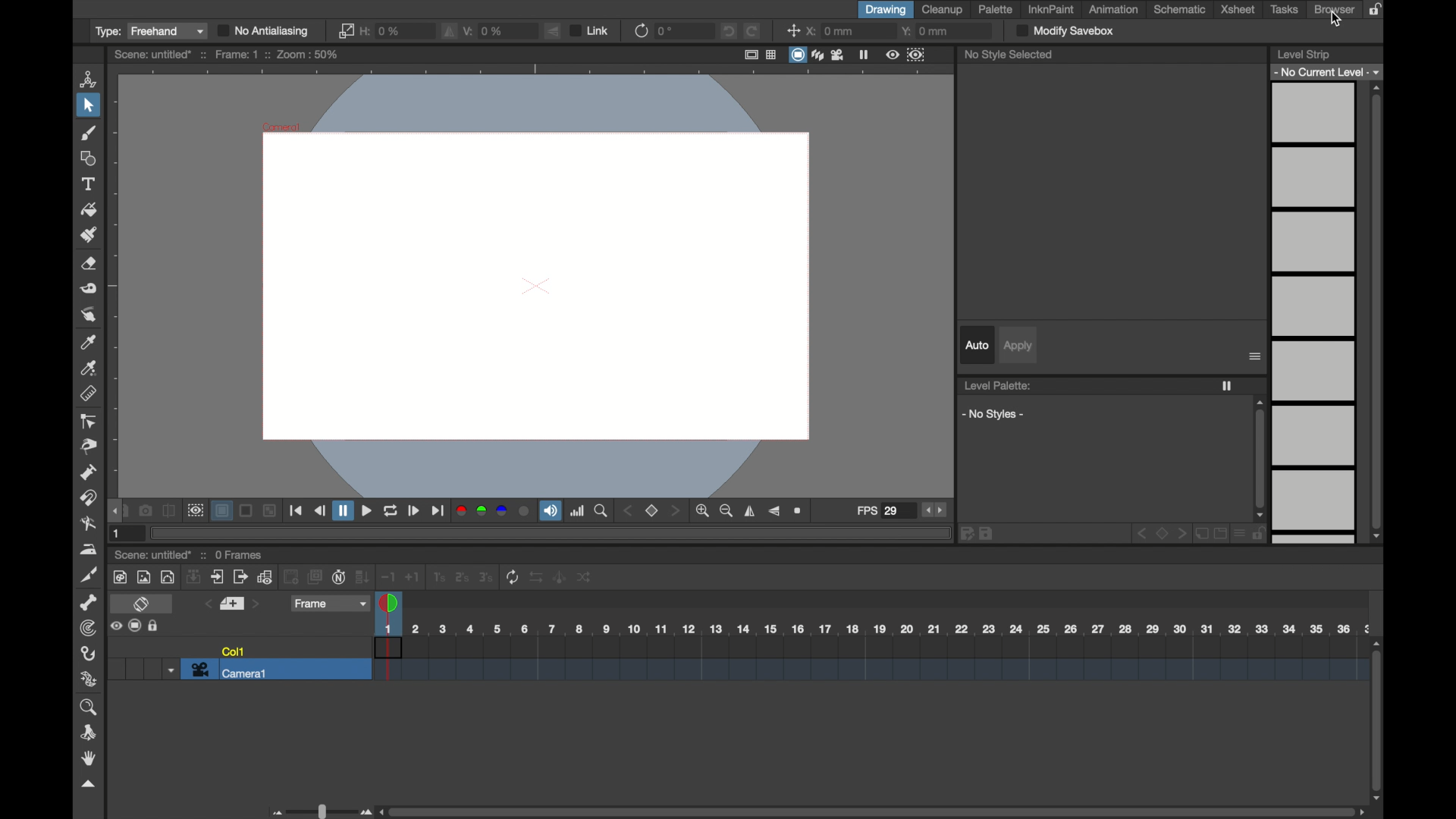 Image resolution: width=1456 pixels, height=819 pixels. I want to click on histogram, so click(578, 511).